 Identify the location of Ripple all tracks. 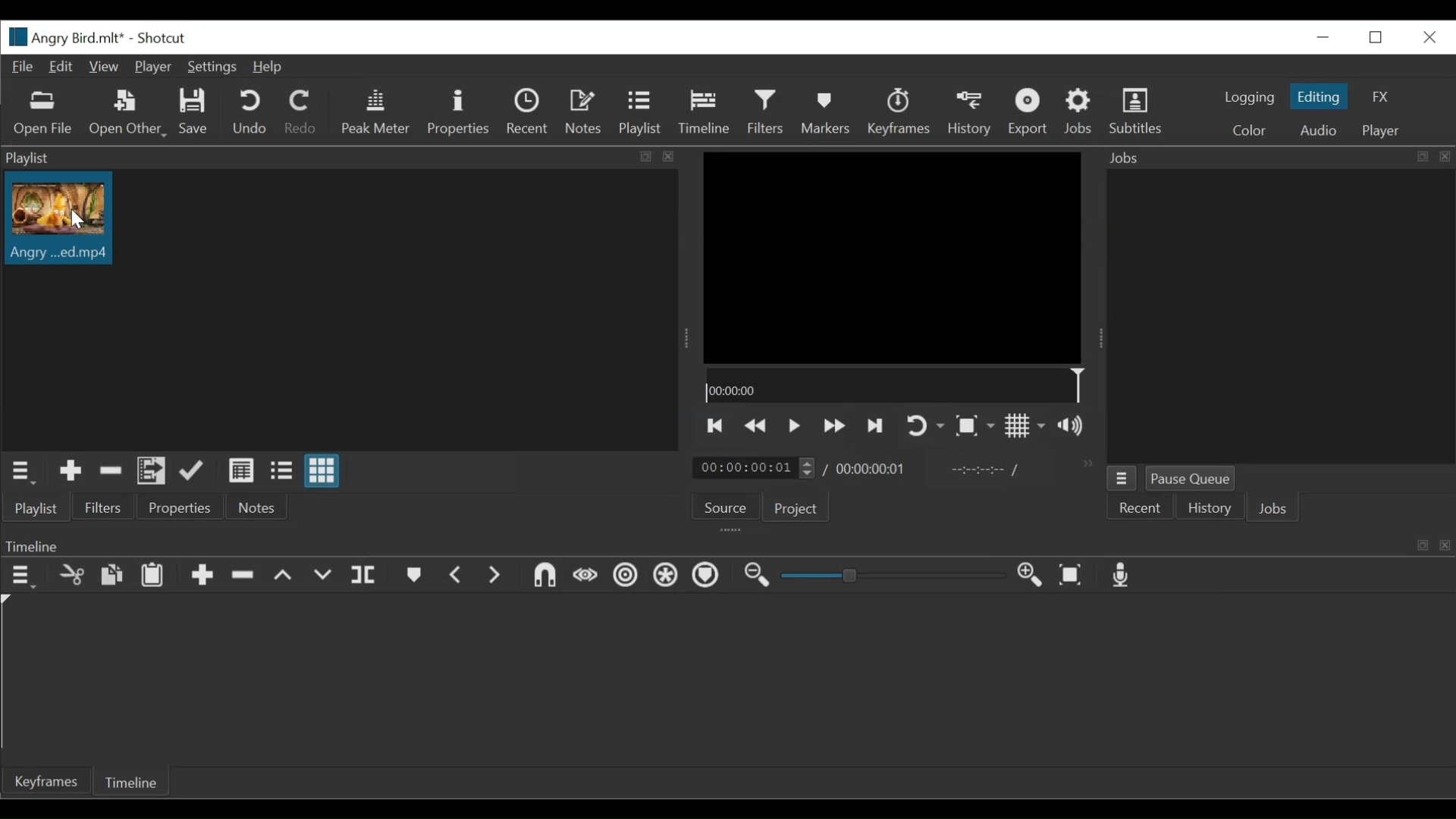
(667, 576).